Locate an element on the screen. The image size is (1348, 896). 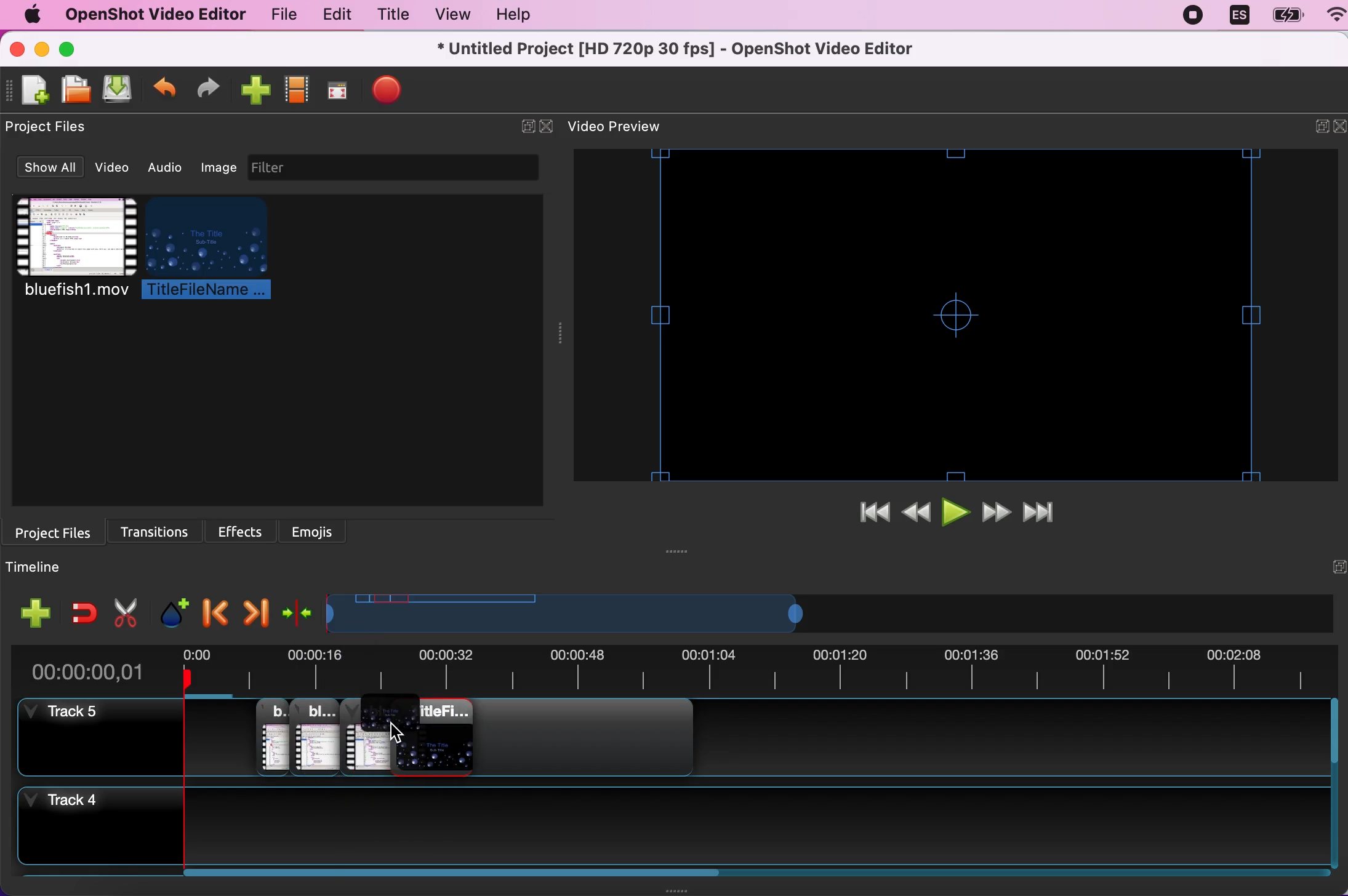
video duration is located at coordinates (758, 673).